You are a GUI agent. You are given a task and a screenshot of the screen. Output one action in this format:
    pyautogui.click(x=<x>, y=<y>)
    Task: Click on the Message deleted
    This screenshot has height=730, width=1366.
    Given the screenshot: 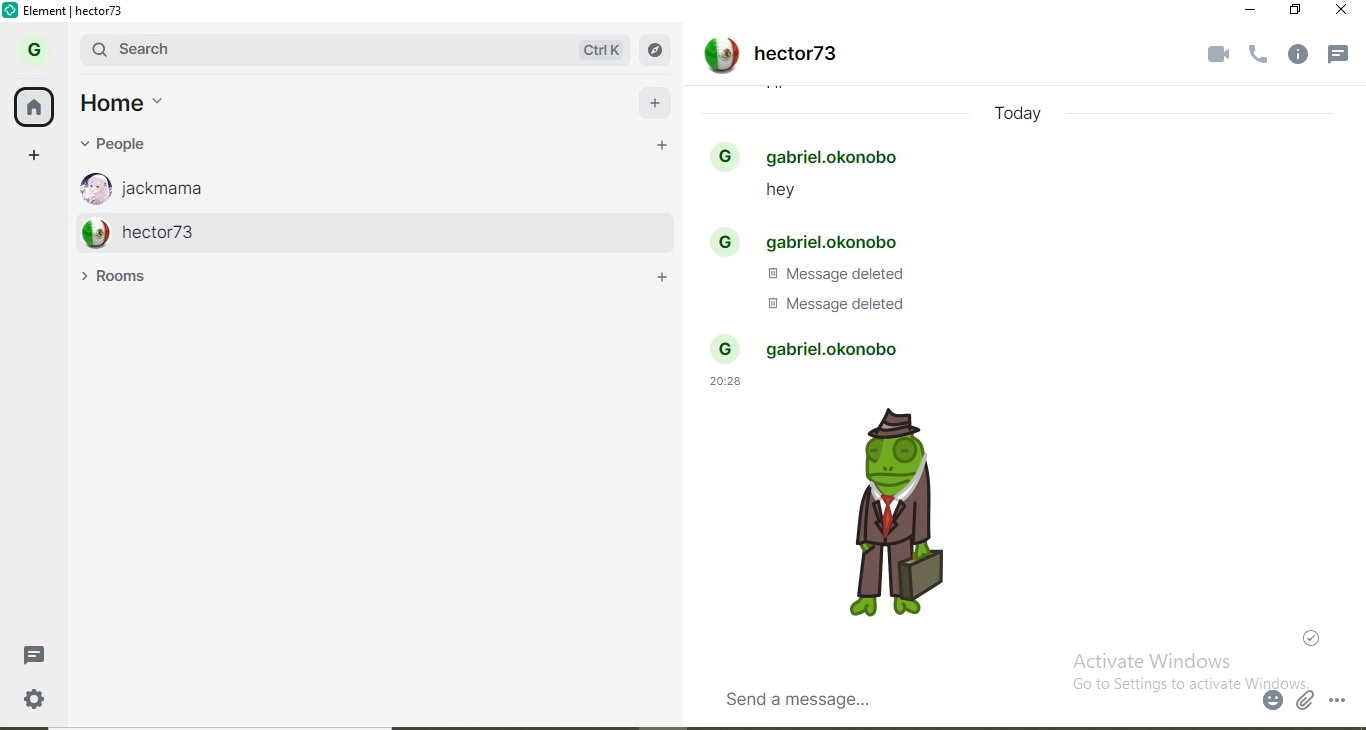 What is the action you would take?
    pyautogui.click(x=826, y=273)
    